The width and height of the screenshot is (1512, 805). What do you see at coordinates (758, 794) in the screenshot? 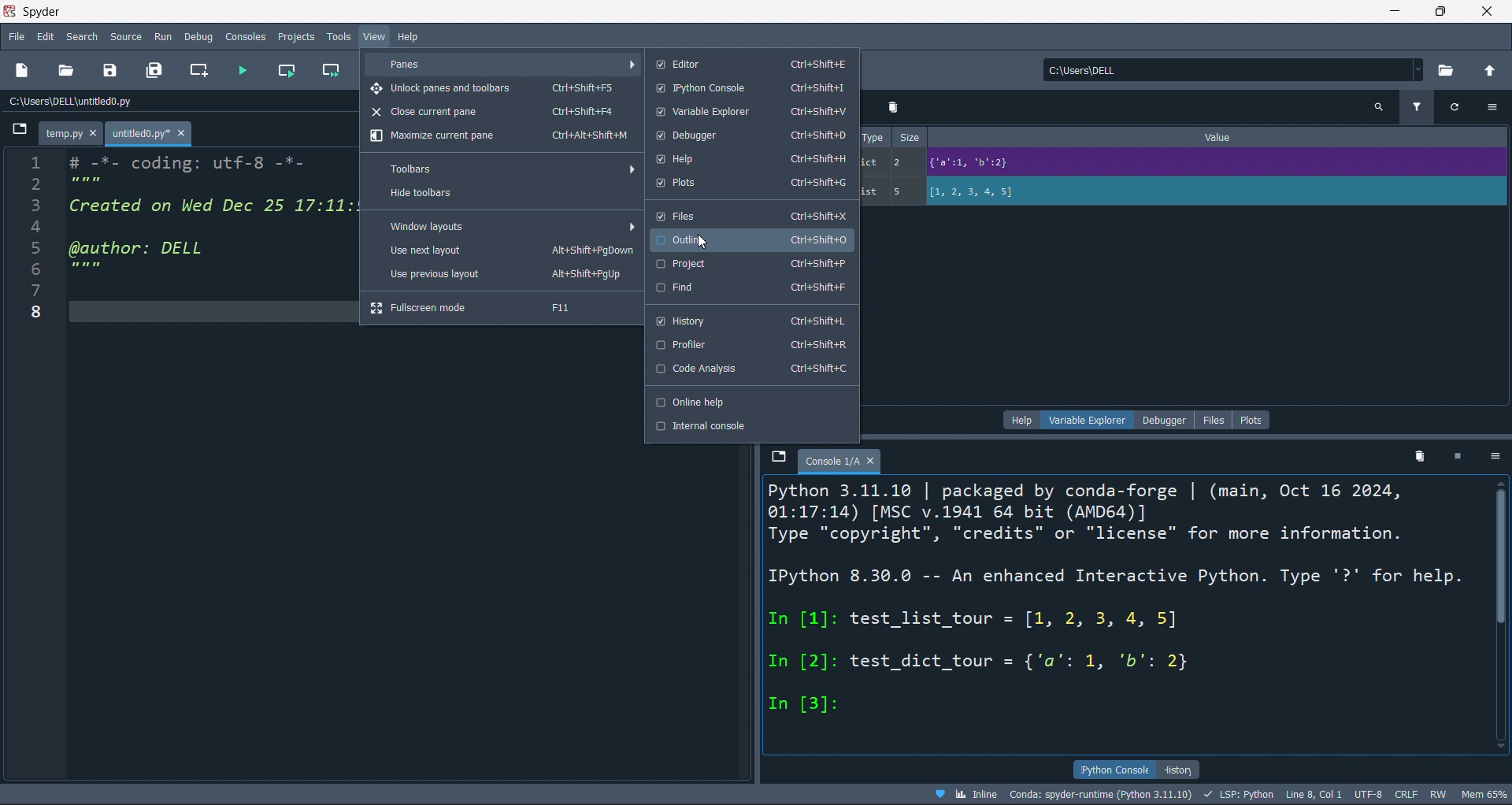
I see `file data` at bounding box center [758, 794].